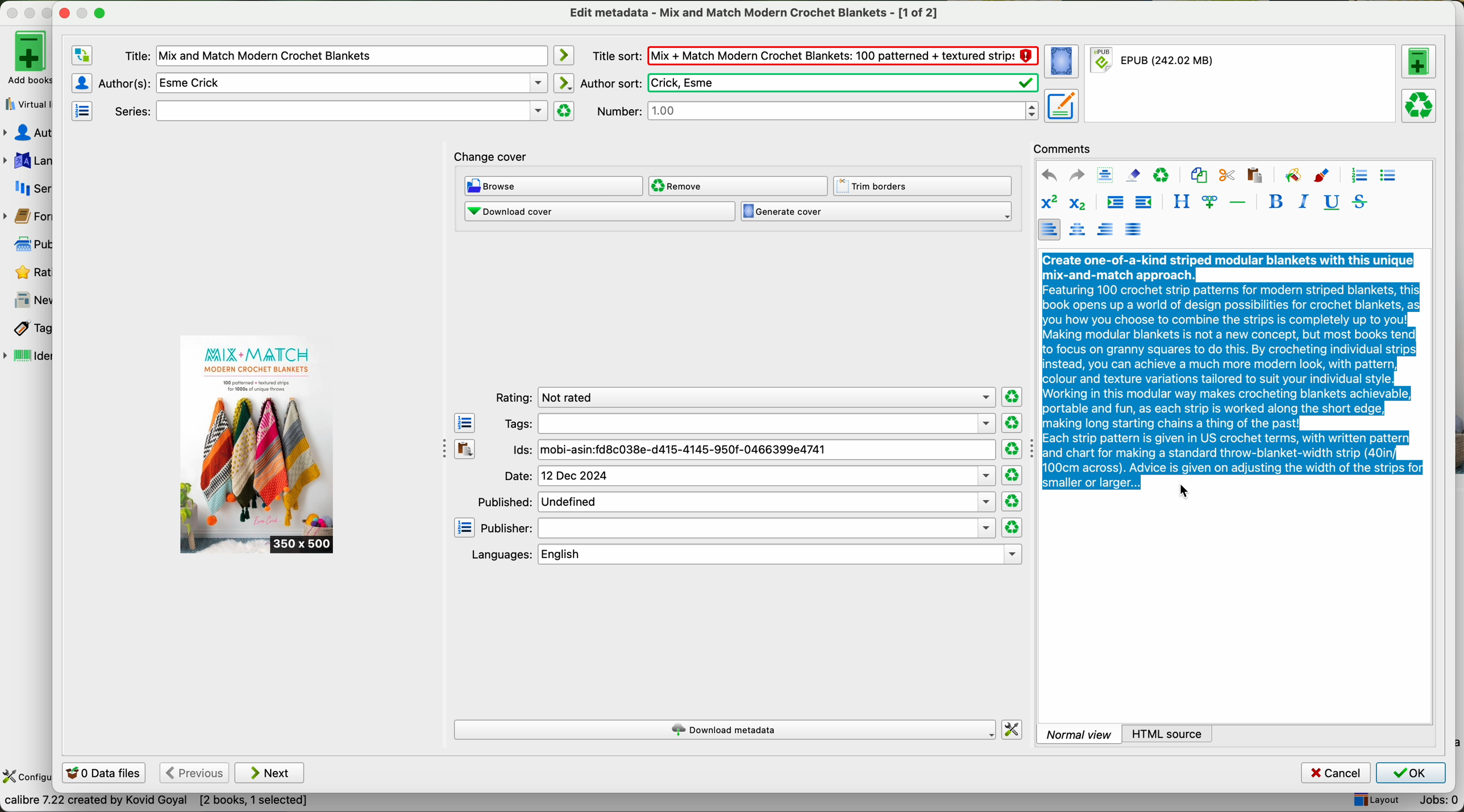 Image resolution: width=1464 pixels, height=812 pixels. I want to click on copy, so click(1199, 176).